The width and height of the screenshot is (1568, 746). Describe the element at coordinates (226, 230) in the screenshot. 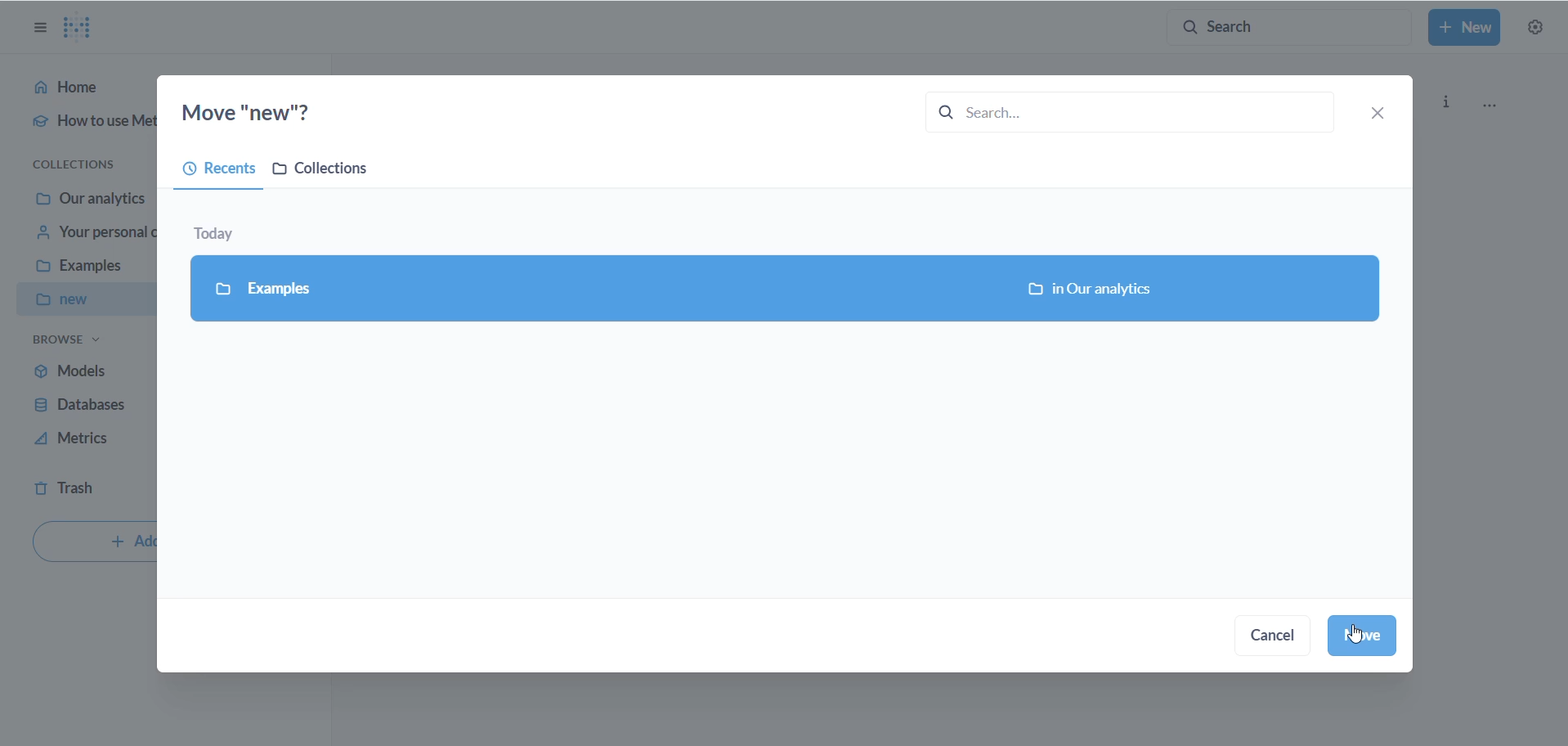

I see `TODAY` at that location.